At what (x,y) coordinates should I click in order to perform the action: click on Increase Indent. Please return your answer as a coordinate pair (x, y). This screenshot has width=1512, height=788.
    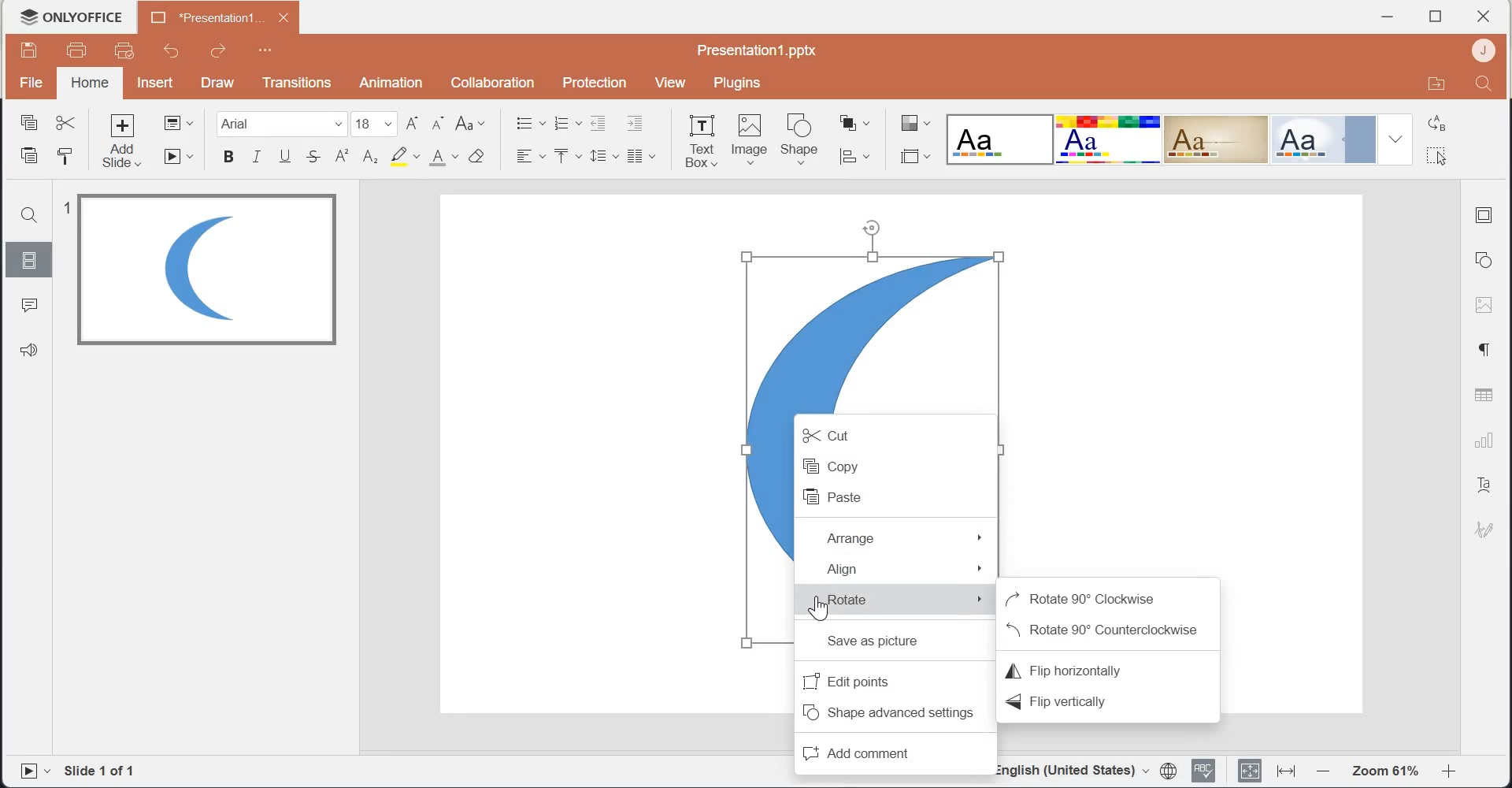
    Looking at the image, I should click on (634, 124).